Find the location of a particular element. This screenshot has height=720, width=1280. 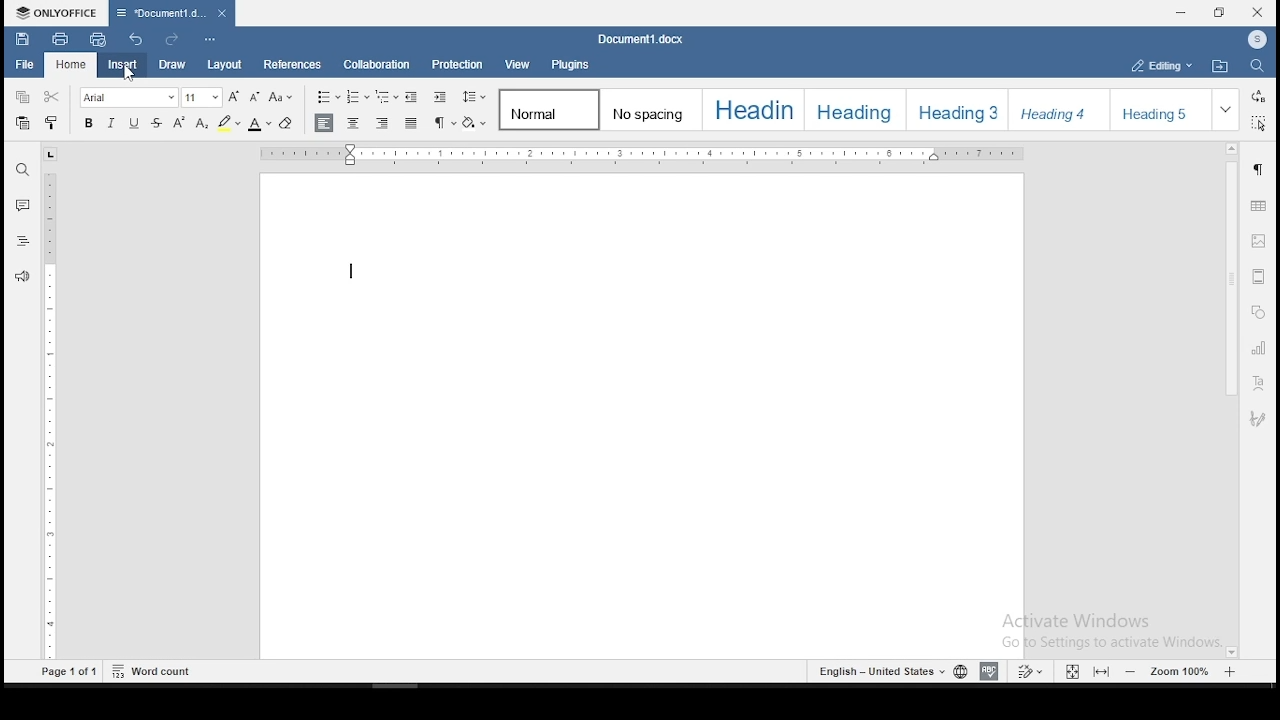

decrease indent is located at coordinates (413, 95).